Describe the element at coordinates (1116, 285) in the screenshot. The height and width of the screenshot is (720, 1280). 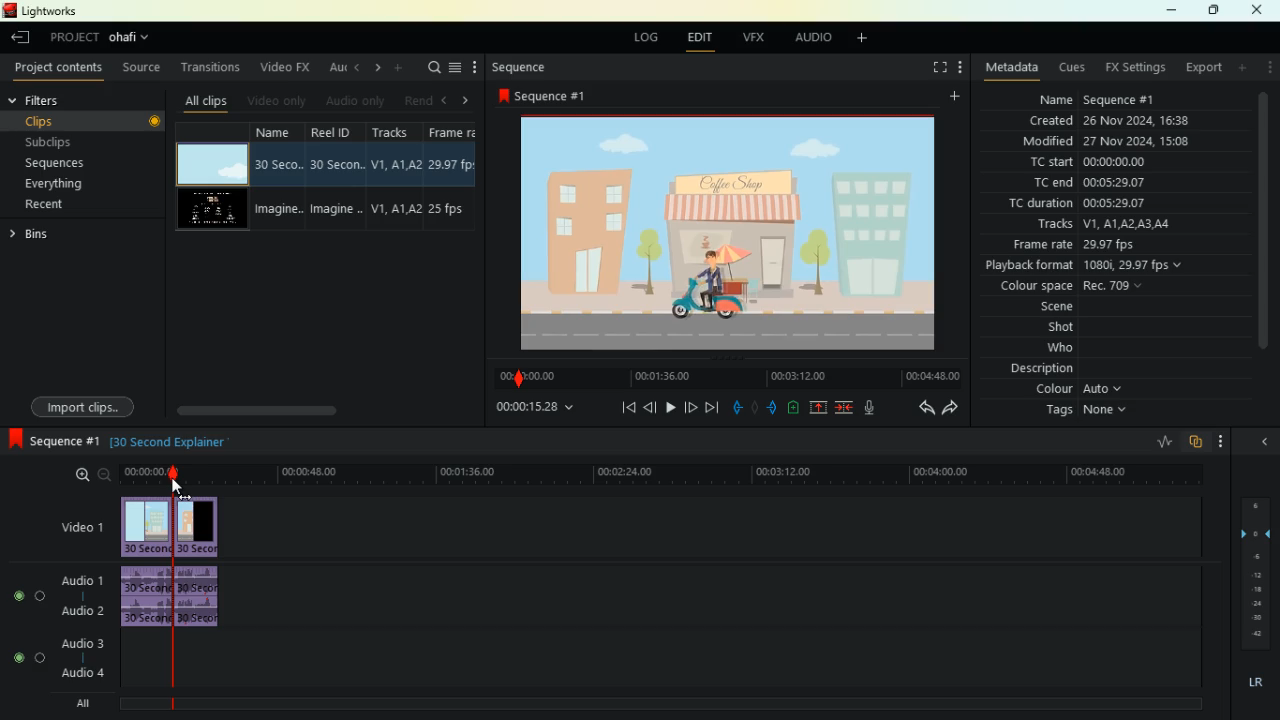
I see ` Rec. 709 ` at that location.